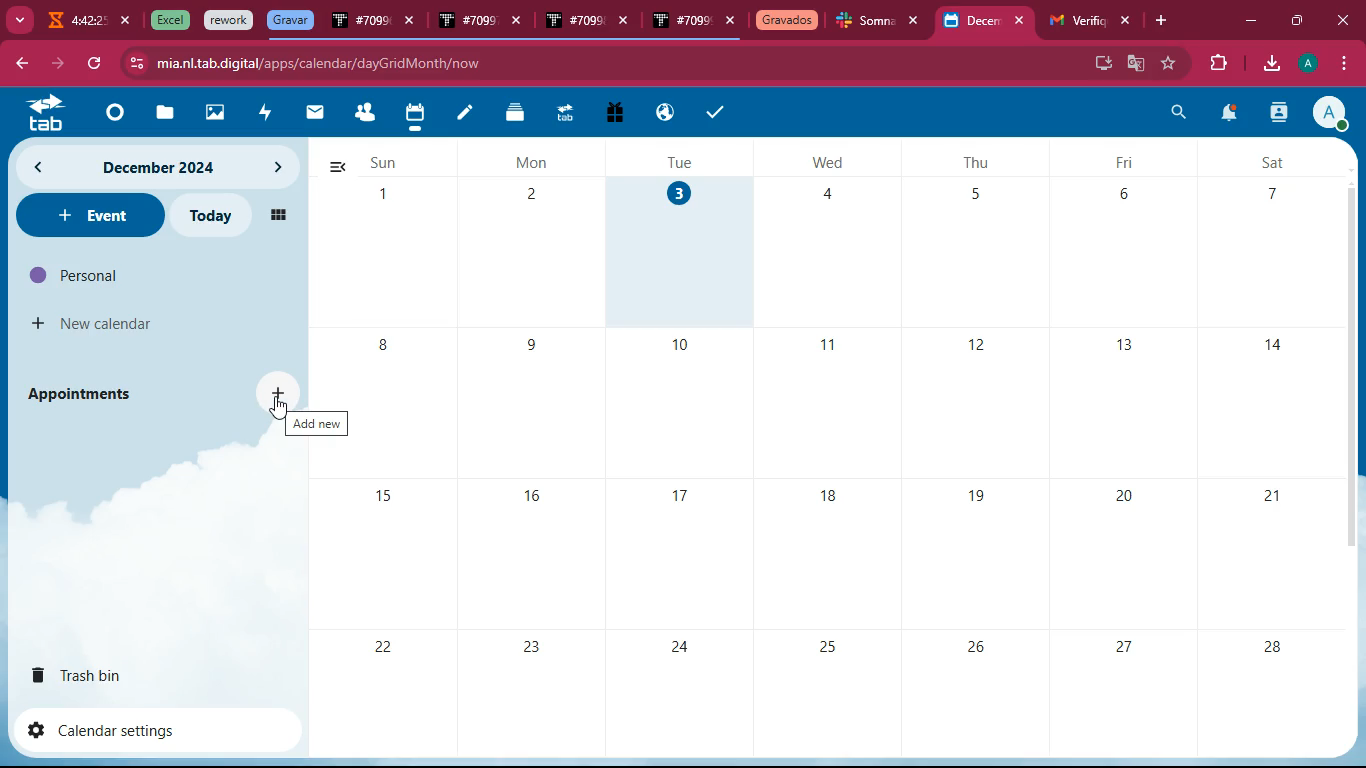 The height and width of the screenshot is (768, 1366). Describe the element at coordinates (74, 23) in the screenshot. I see `tab` at that location.